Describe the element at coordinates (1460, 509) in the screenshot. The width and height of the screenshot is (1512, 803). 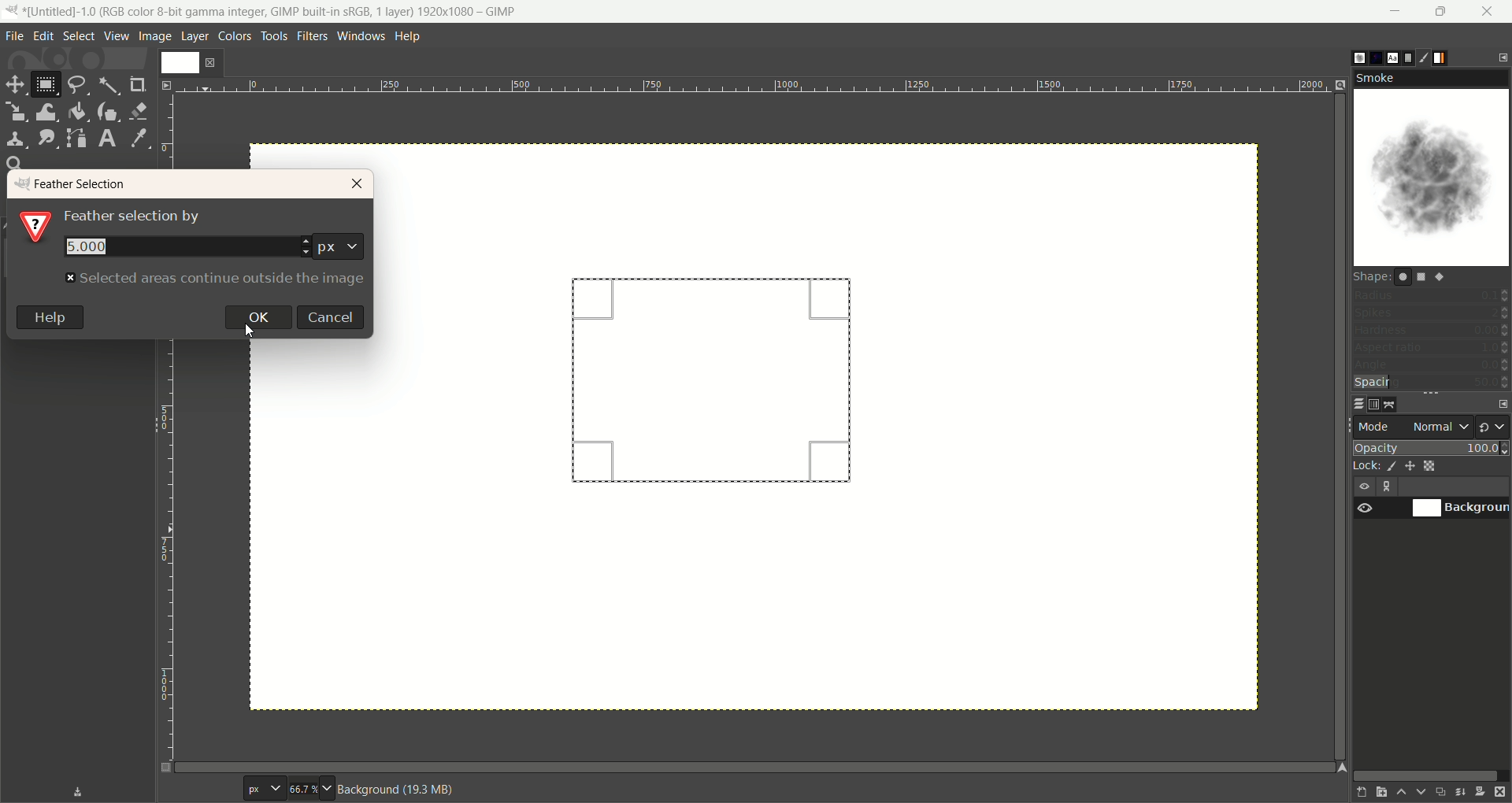
I see `background` at that location.